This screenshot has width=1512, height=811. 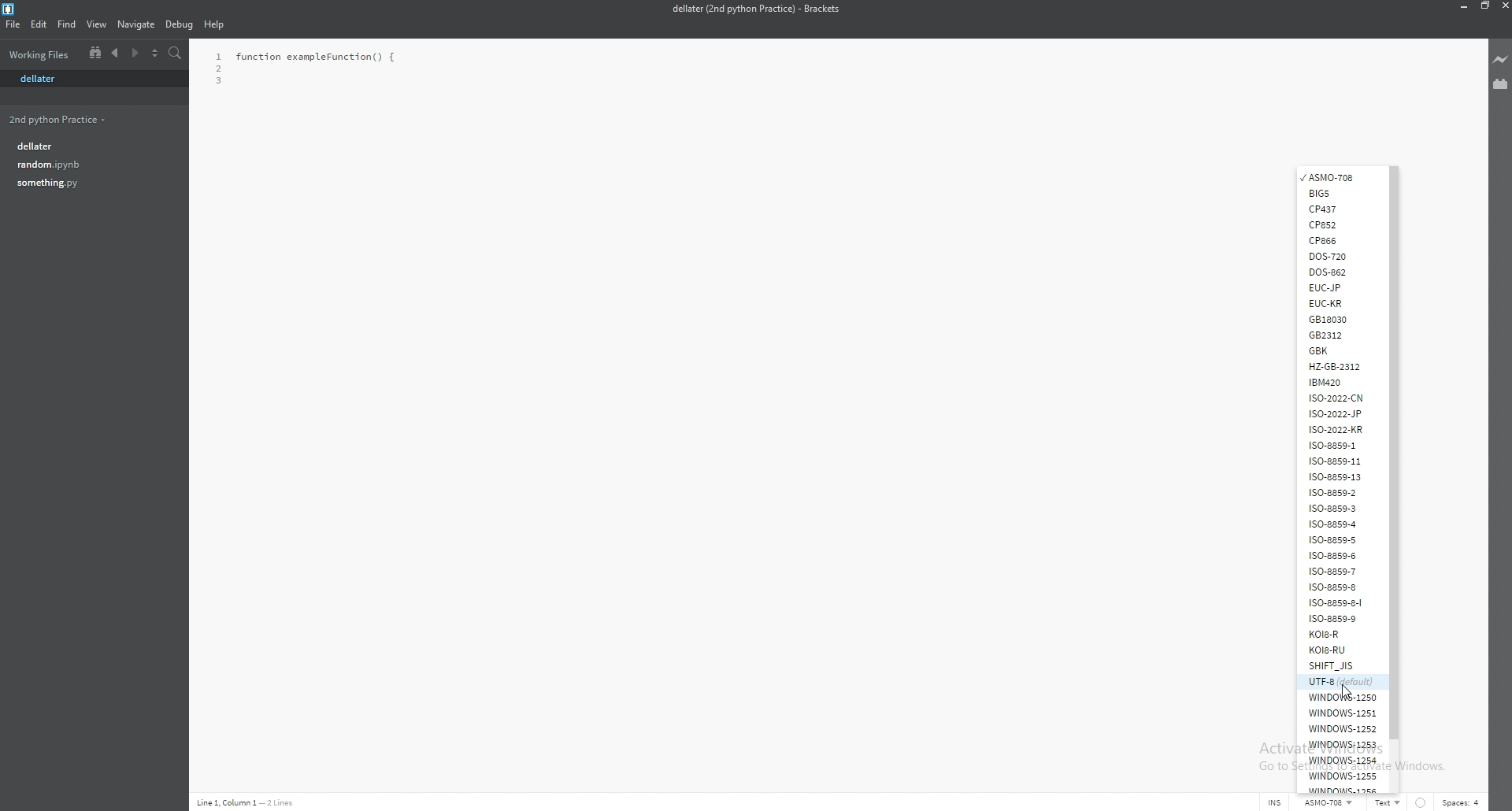 What do you see at coordinates (220, 81) in the screenshot?
I see `3` at bounding box center [220, 81].